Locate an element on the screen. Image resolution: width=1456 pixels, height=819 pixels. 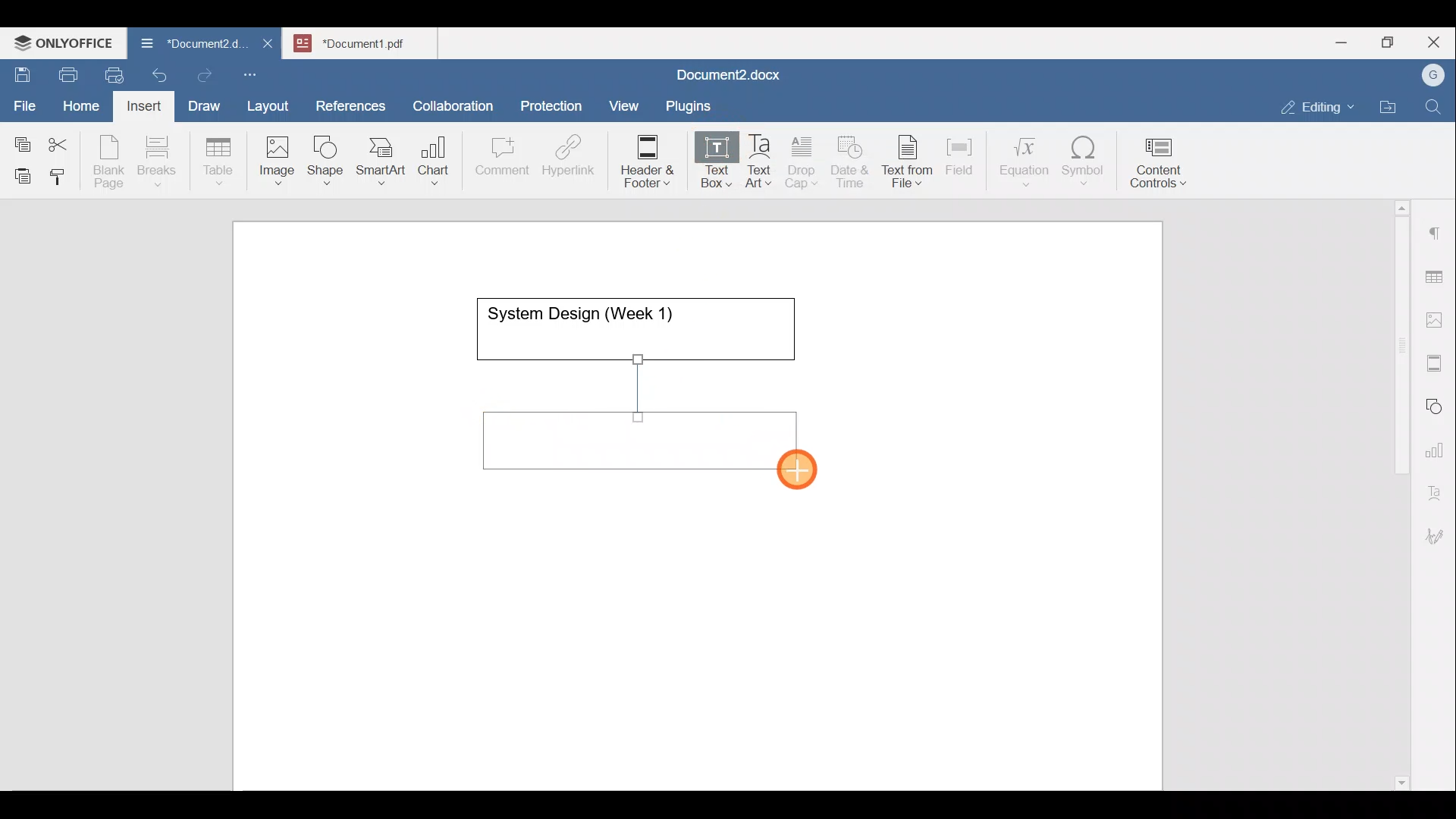
Image settings is located at coordinates (1437, 318).